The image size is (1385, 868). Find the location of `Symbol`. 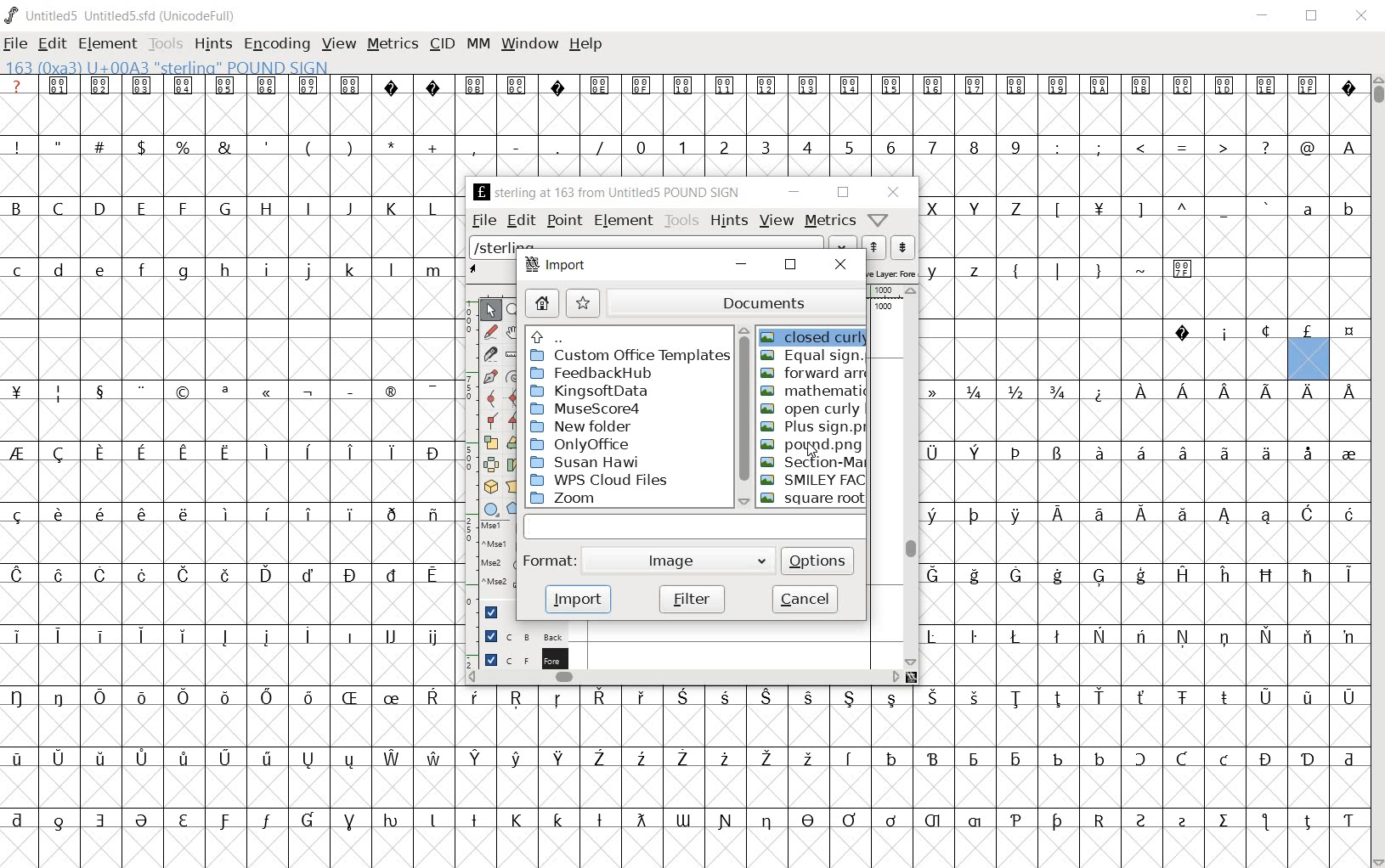

Symbol is located at coordinates (1098, 516).